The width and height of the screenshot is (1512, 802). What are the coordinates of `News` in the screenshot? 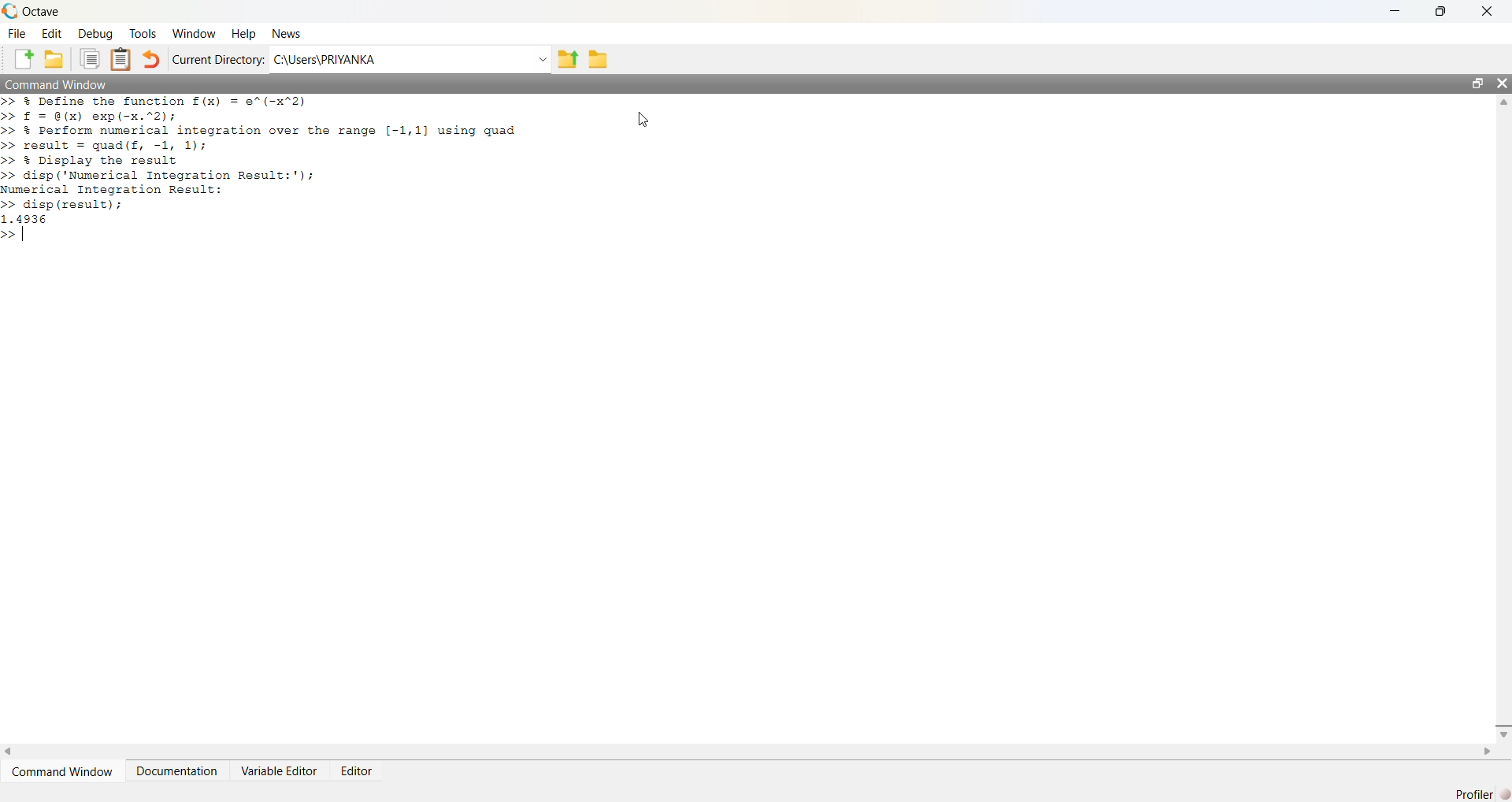 It's located at (287, 33).